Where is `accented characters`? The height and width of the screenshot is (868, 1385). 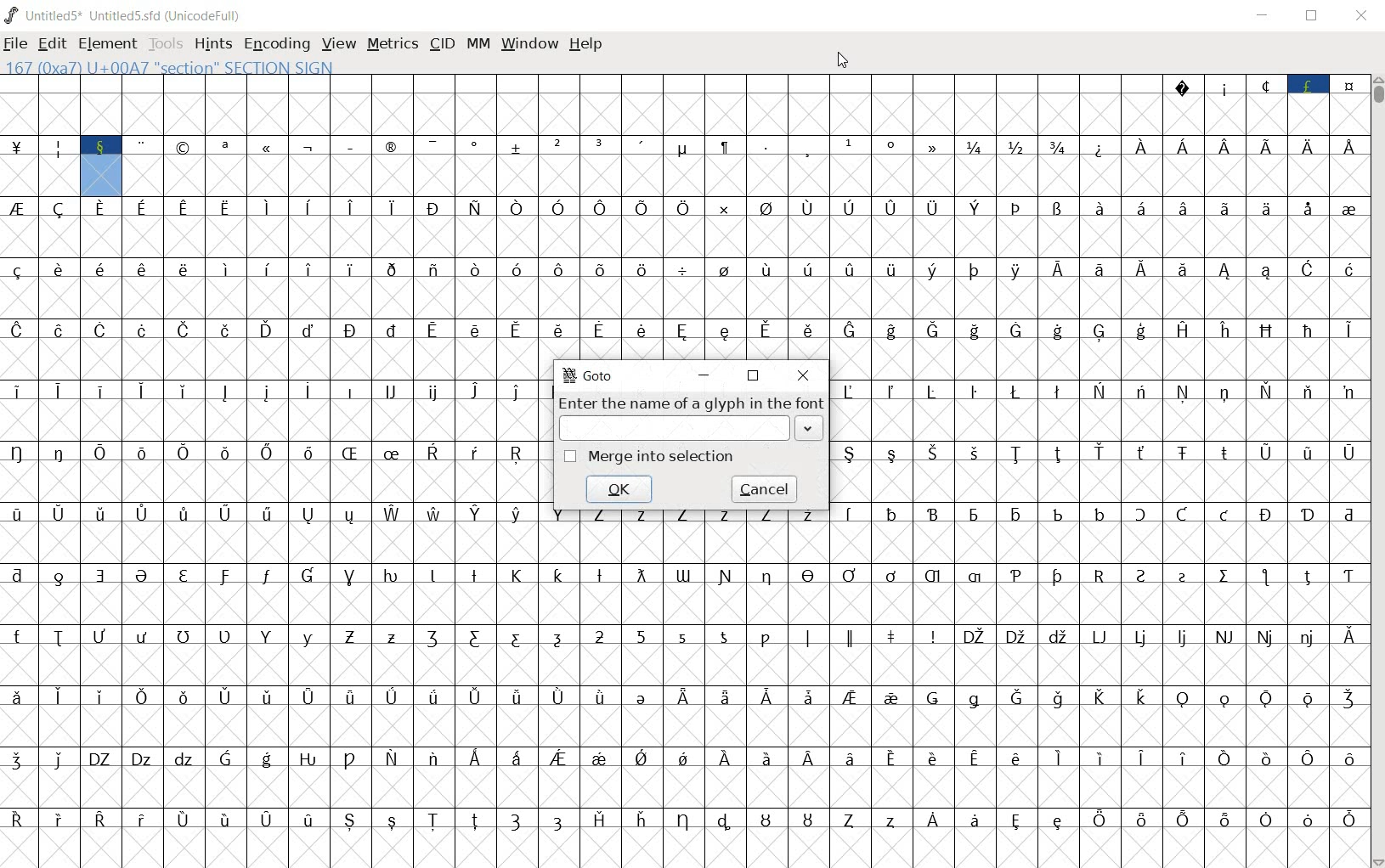 accented characters is located at coordinates (1053, 289).